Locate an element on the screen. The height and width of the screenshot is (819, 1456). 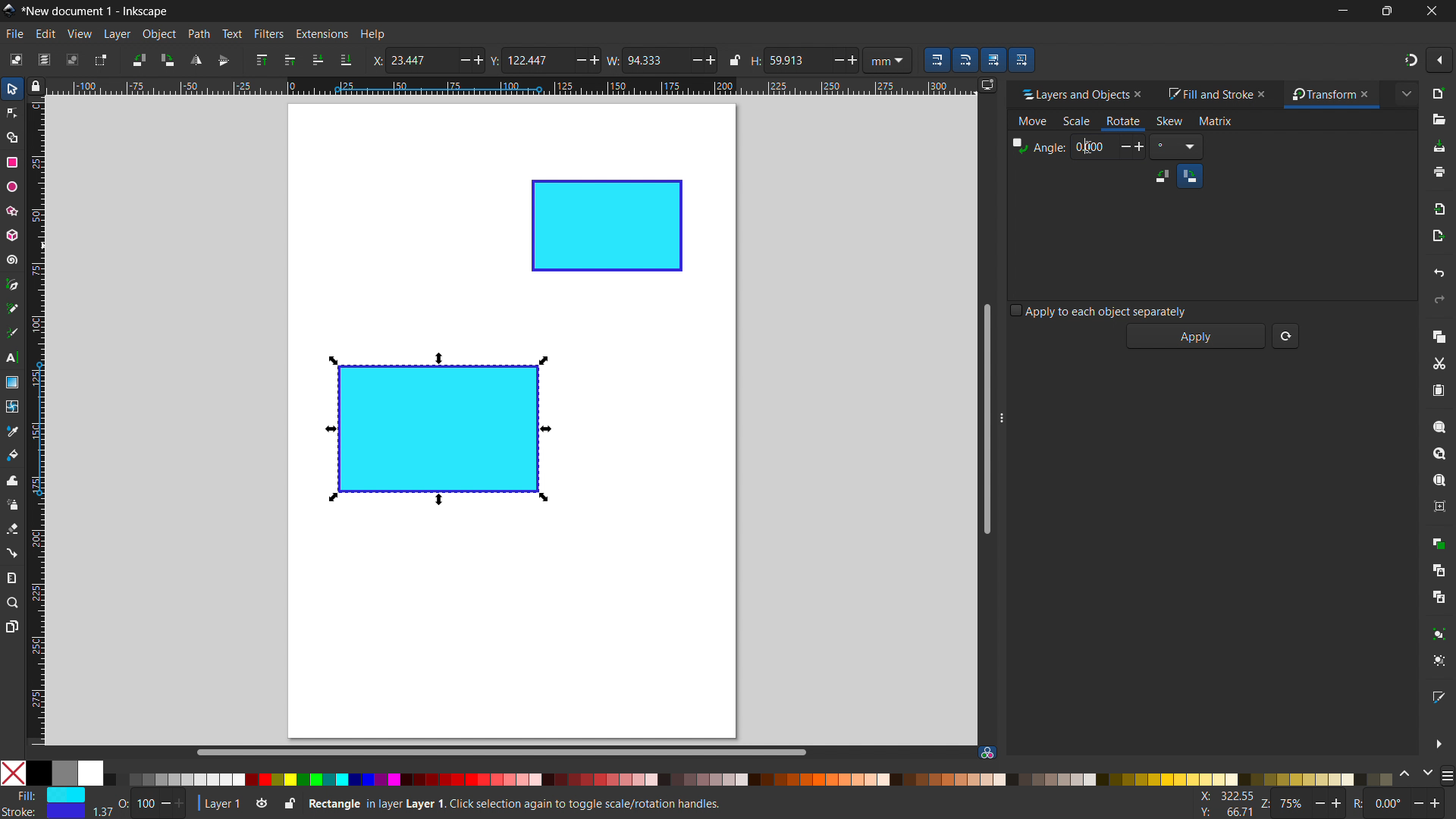
pencil tool is located at coordinates (11, 308).